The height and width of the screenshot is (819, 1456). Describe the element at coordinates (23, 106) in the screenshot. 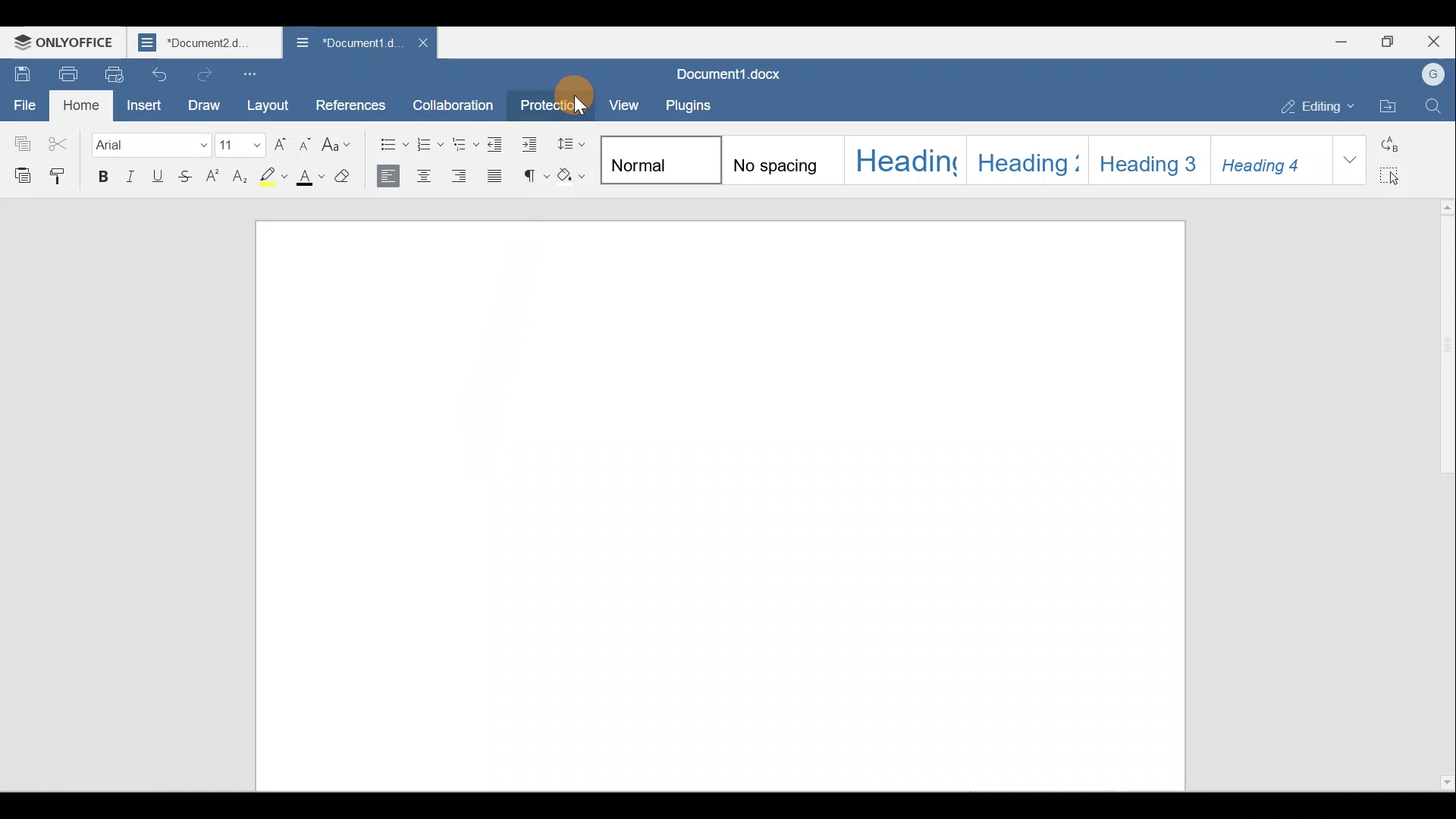

I see `File` at that location.